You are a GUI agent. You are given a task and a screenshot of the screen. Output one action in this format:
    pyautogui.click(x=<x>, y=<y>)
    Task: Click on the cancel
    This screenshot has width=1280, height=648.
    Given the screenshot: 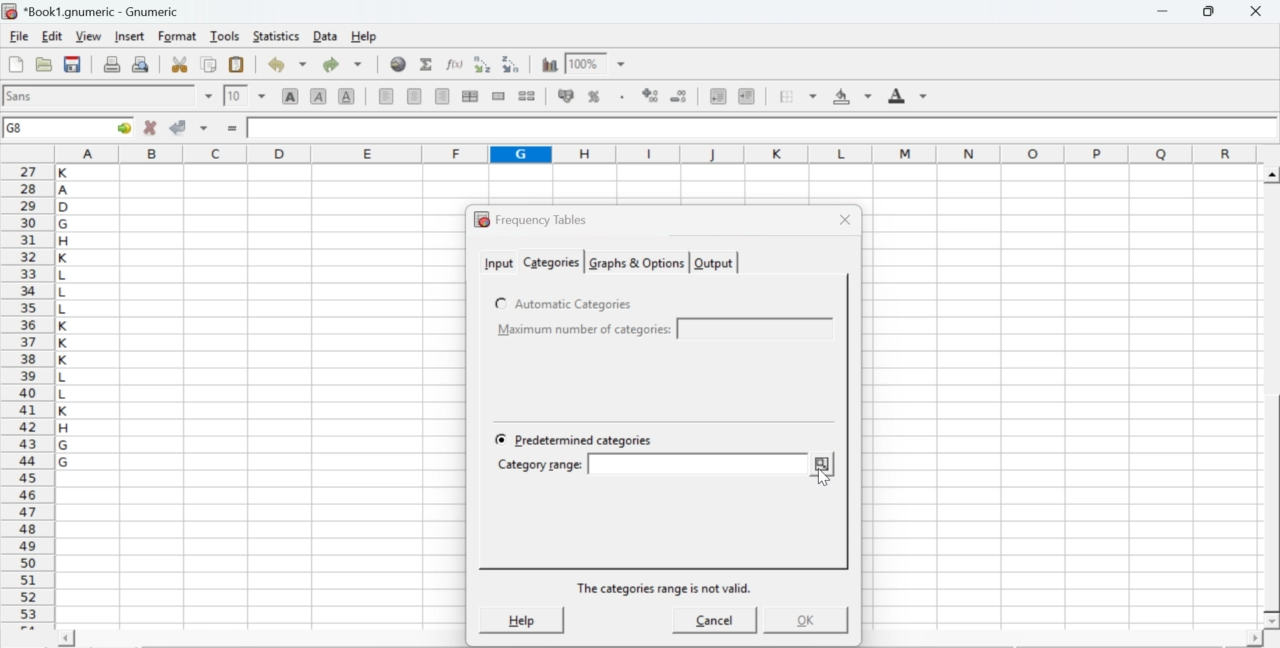 What is the action you would take?
    pyautogui.click(x=715, y=620)
    